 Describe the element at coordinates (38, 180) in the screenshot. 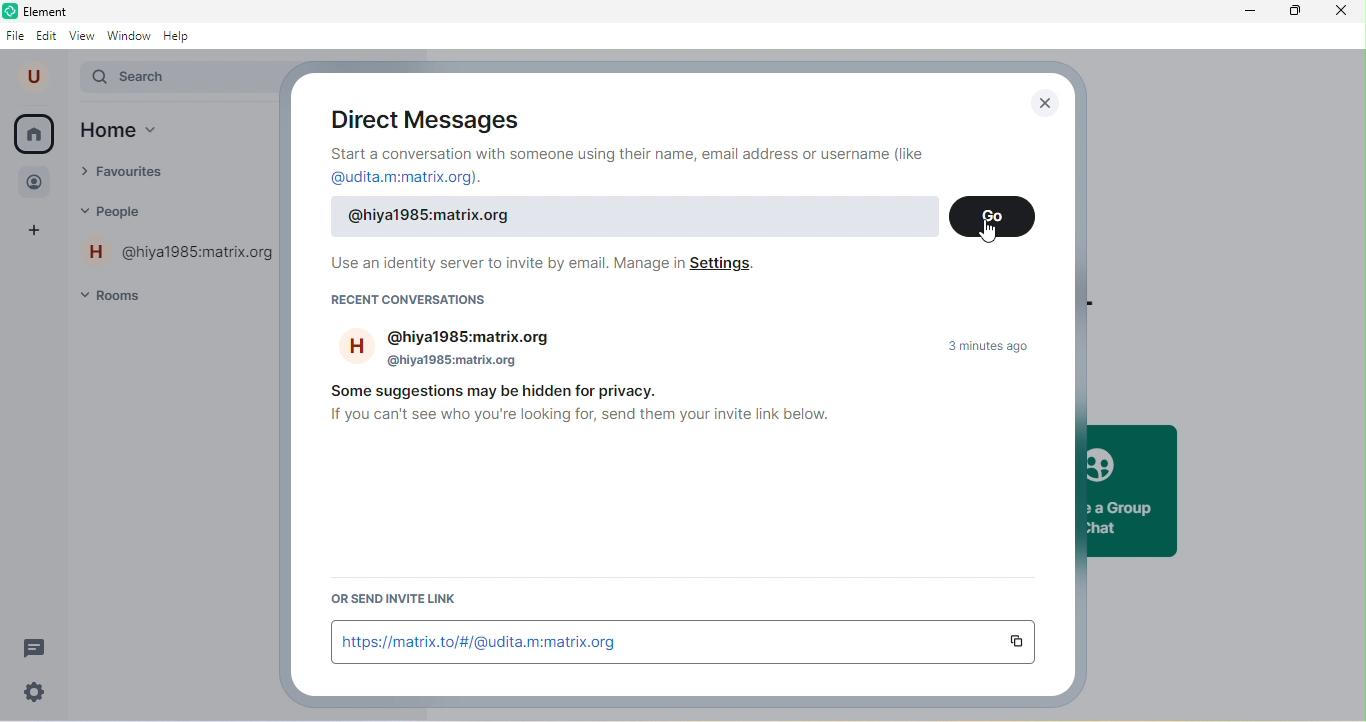

I see `people` at that location.